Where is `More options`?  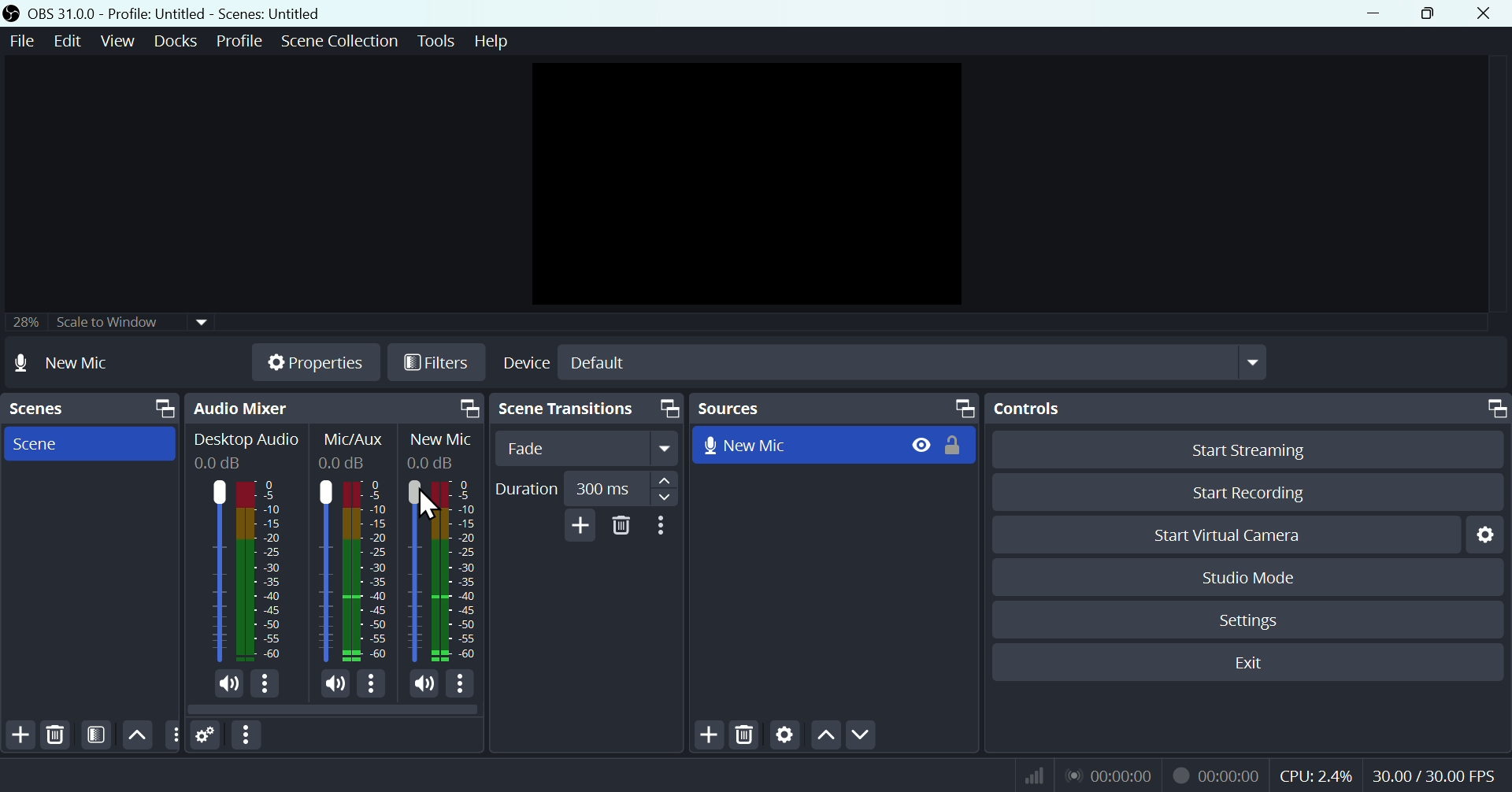
More options is located at coordinates (266, 685).